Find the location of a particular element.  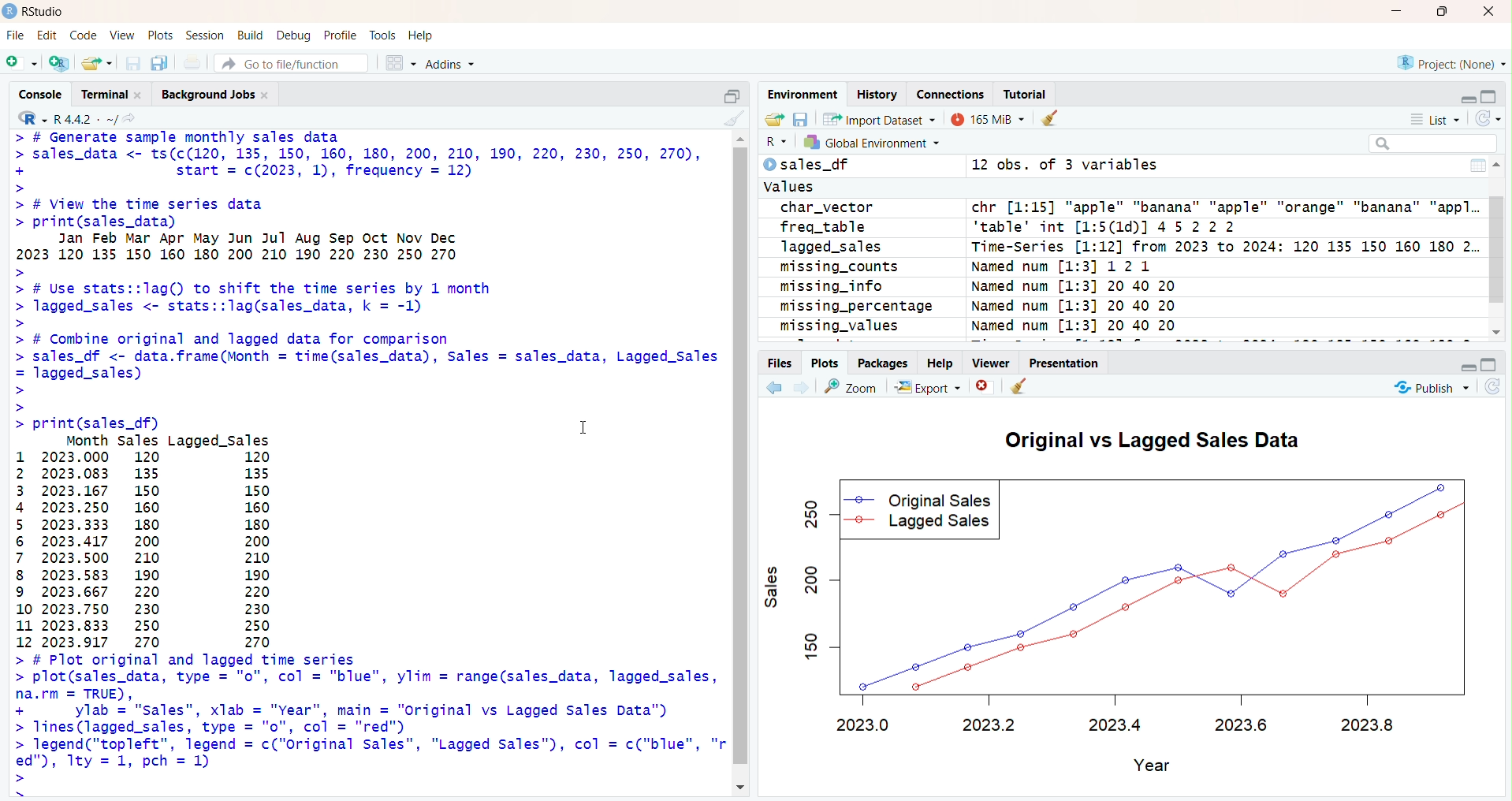

background jobs is located at coordinates (219, 95).